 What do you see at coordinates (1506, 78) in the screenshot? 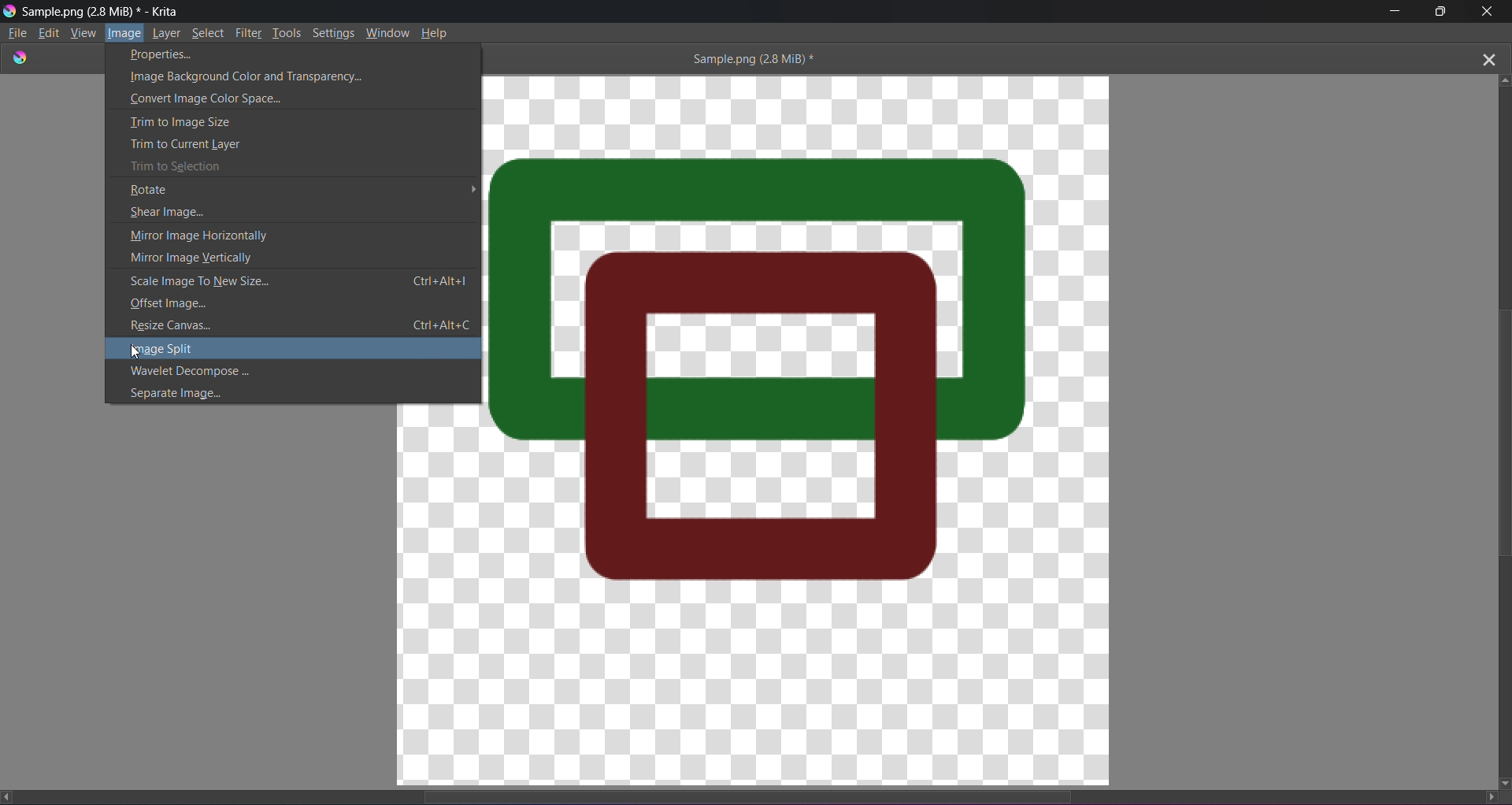
I see `Scroll up` at bounding box center [1506, 78].